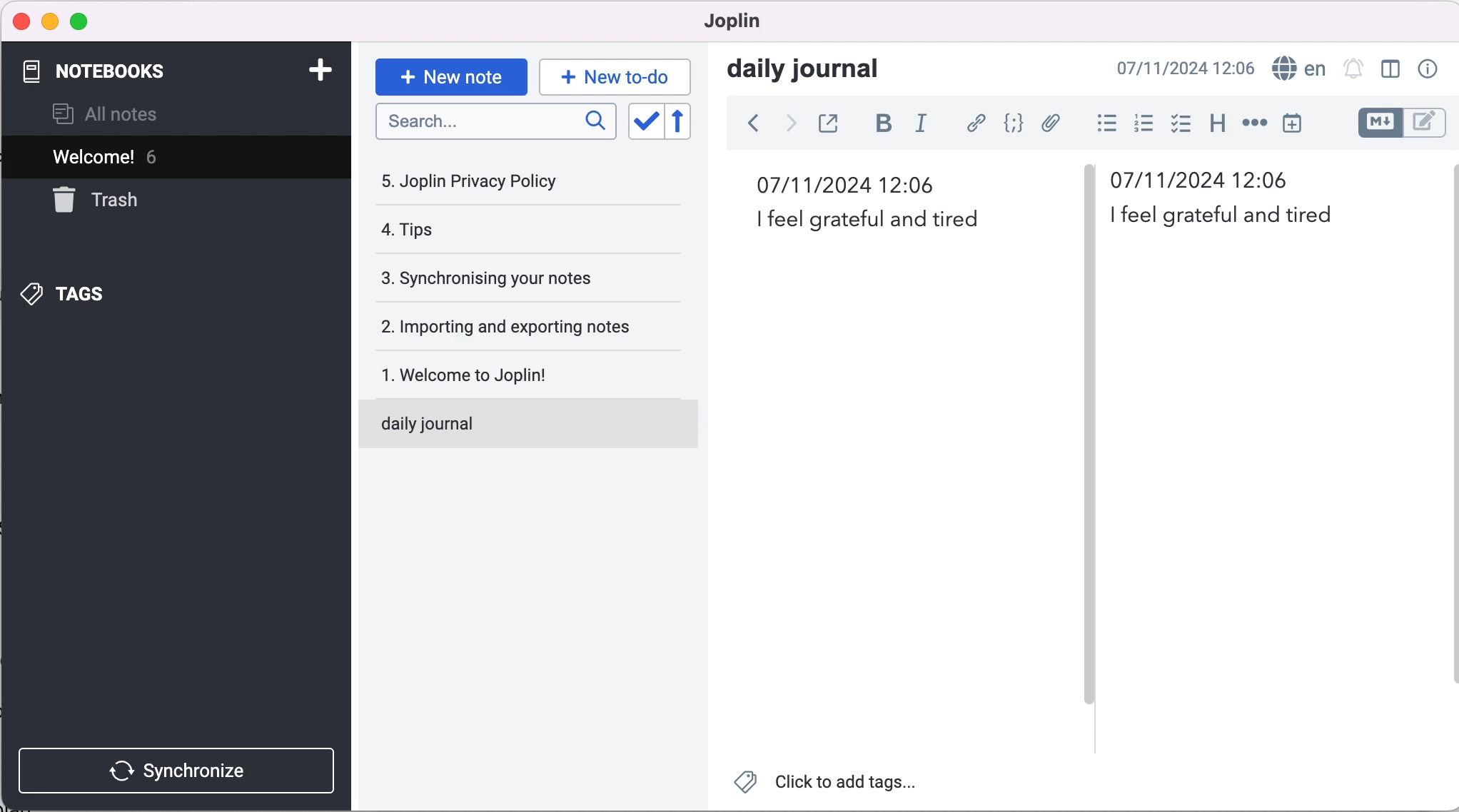 This screenshot has width=1459, height=812. I want to click on bulleted list, so click(1101, 122).